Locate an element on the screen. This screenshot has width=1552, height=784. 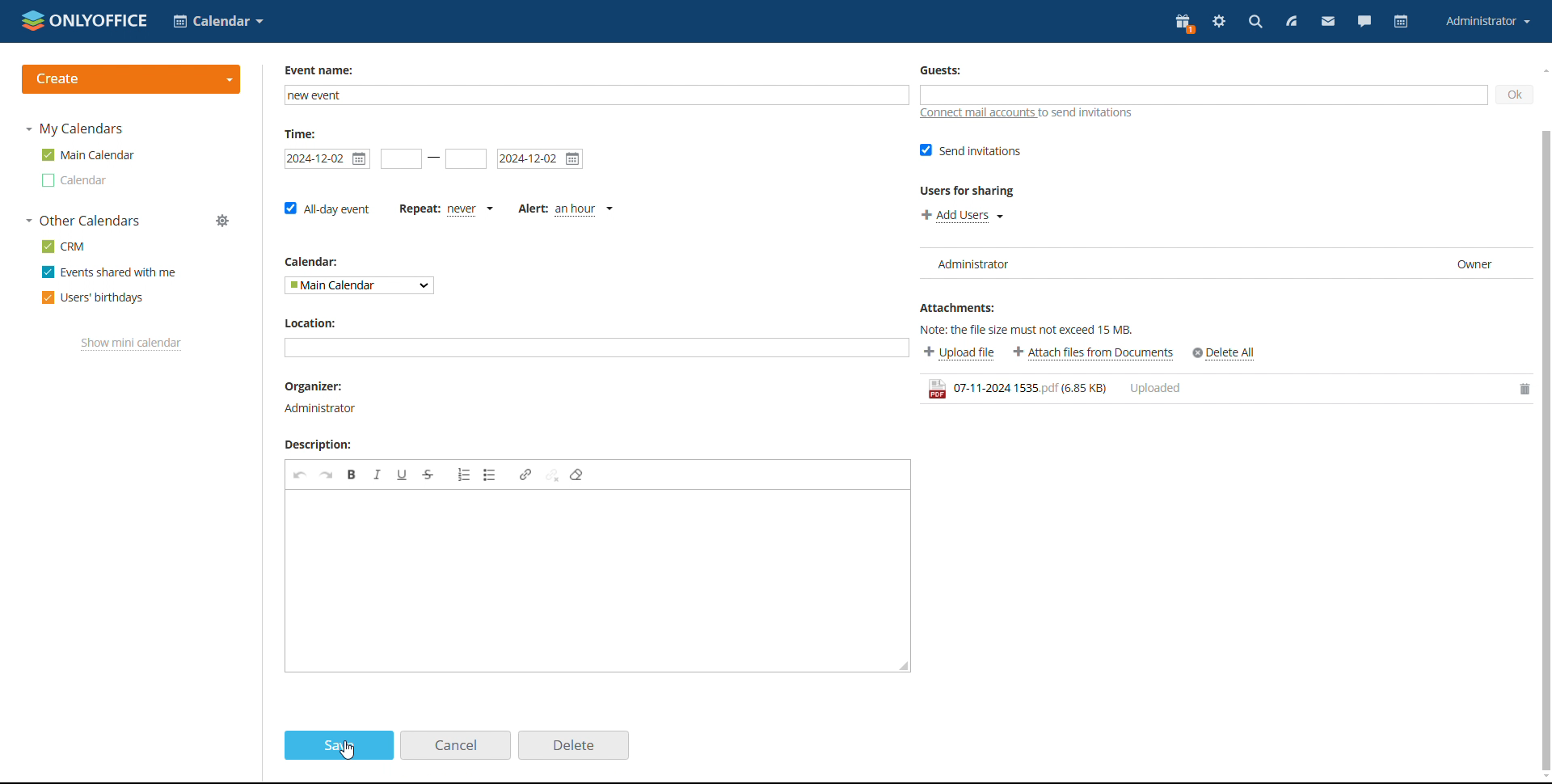
underline is located at coordinates (403, 474).